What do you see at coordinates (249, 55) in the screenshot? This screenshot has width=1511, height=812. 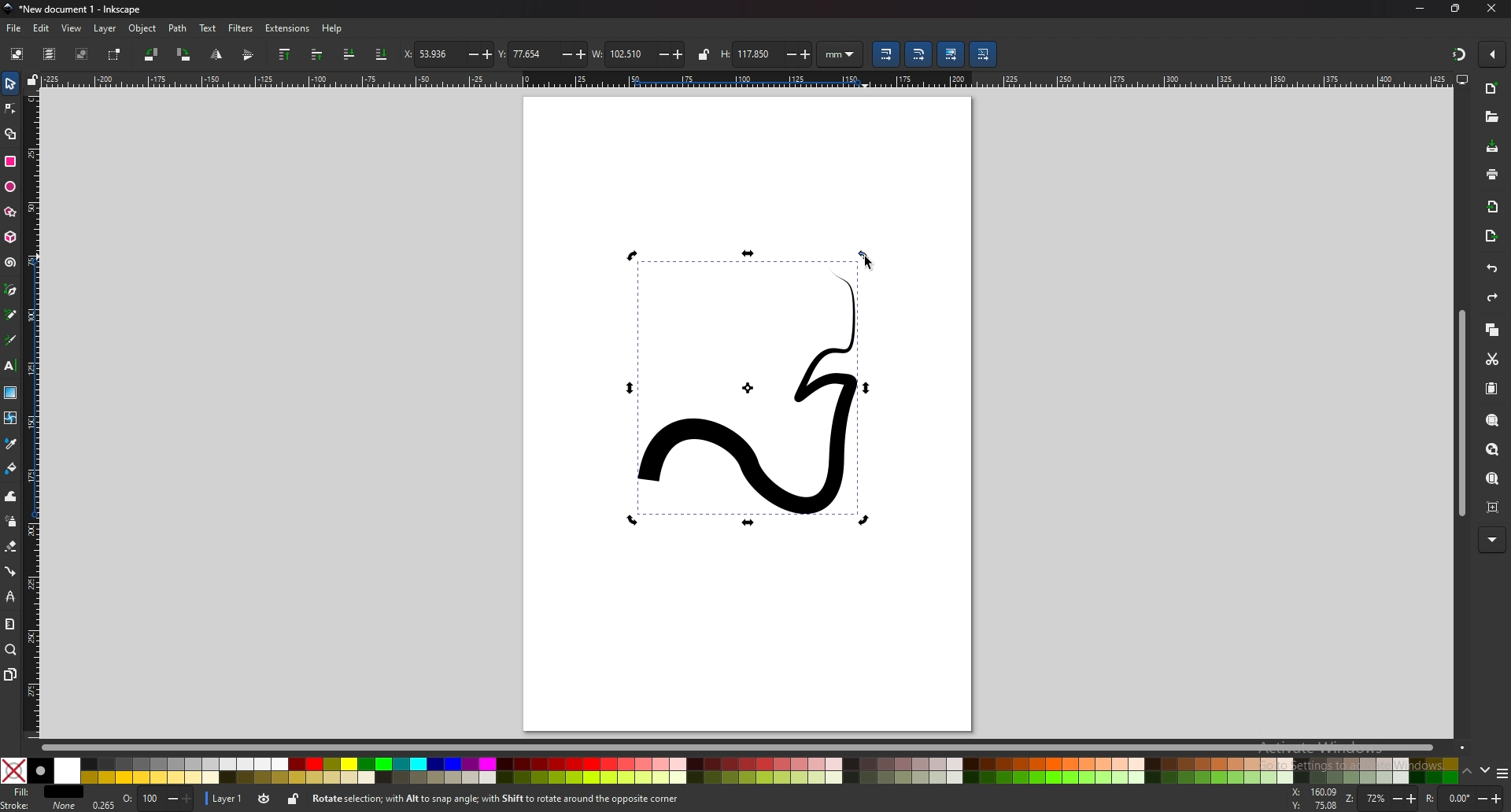 I see `flip horizontally` at bounding box center [249, 55].